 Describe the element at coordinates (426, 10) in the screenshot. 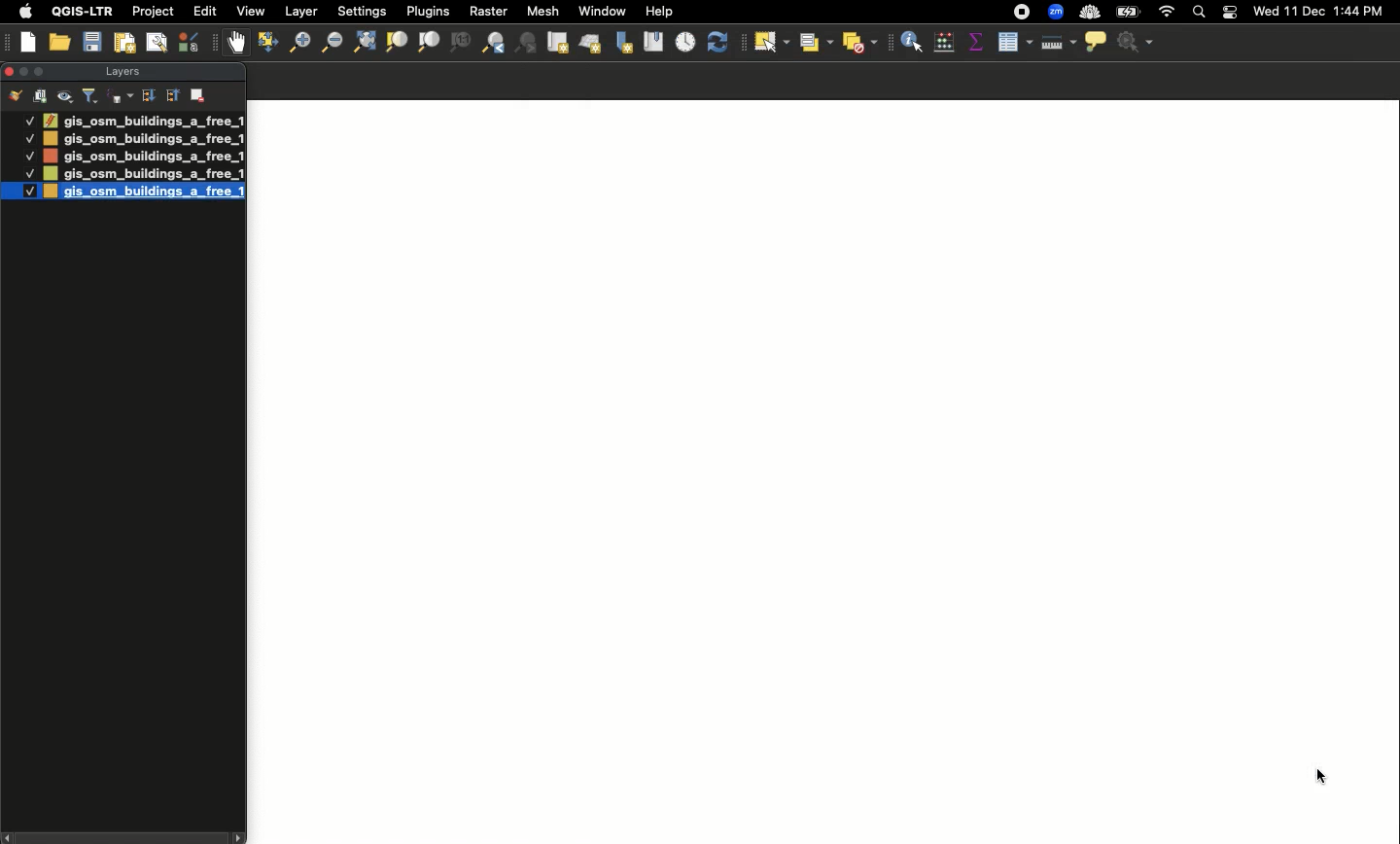

I see `Plugins` at that location.